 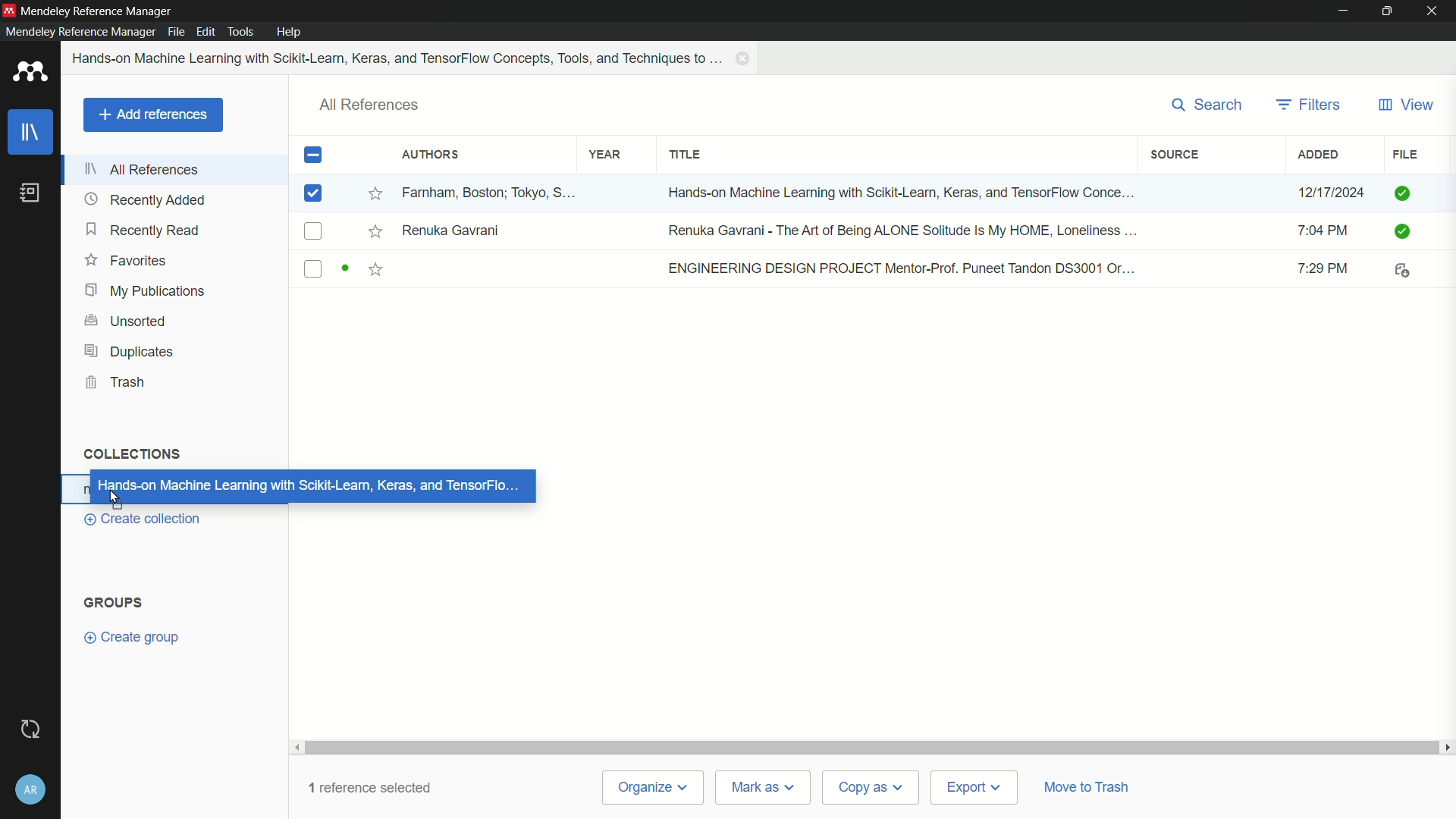 I want to click on collections, so click(x=130, y=453).